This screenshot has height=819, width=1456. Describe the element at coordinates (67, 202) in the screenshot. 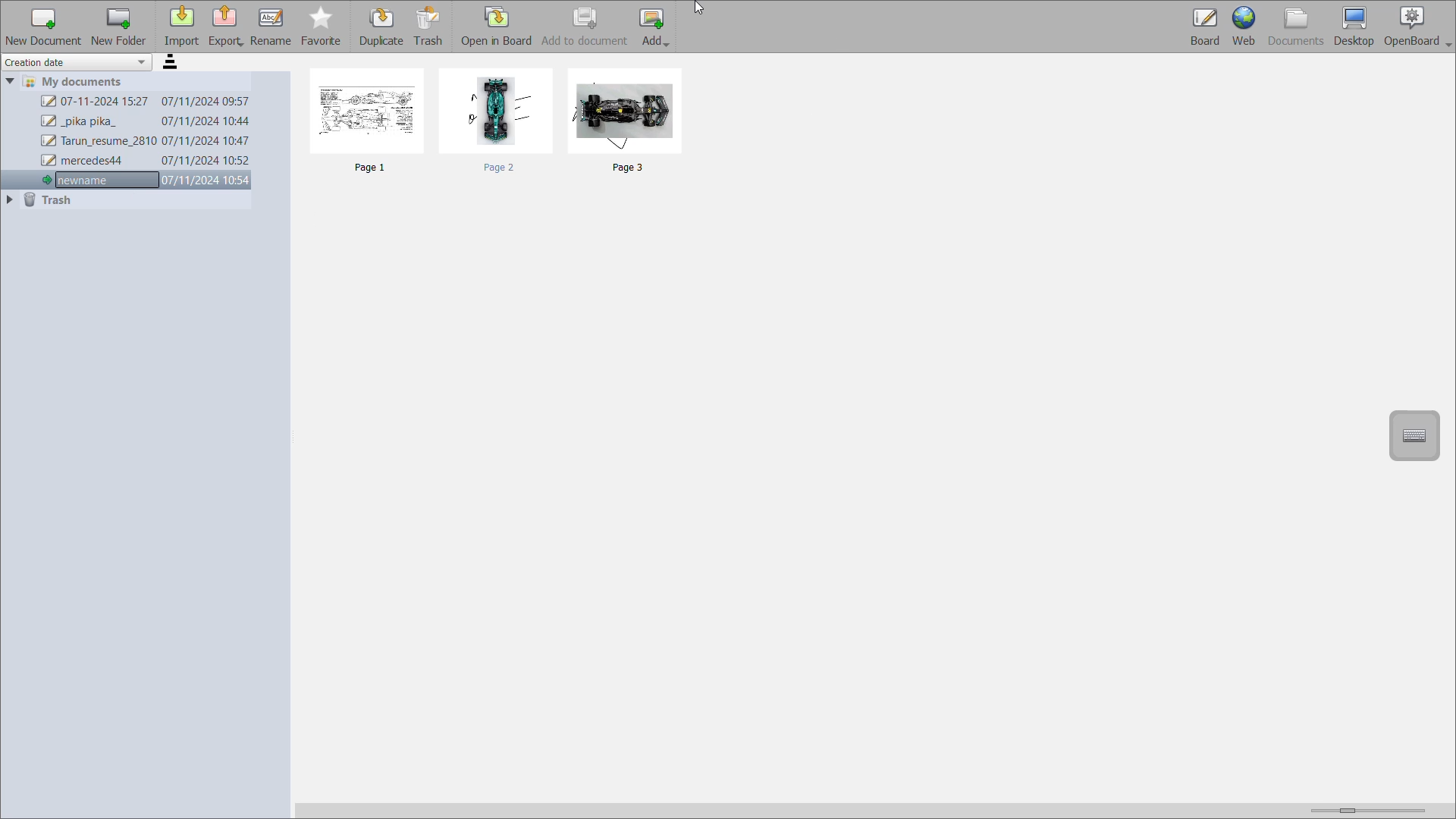

I see `trash` at that location.